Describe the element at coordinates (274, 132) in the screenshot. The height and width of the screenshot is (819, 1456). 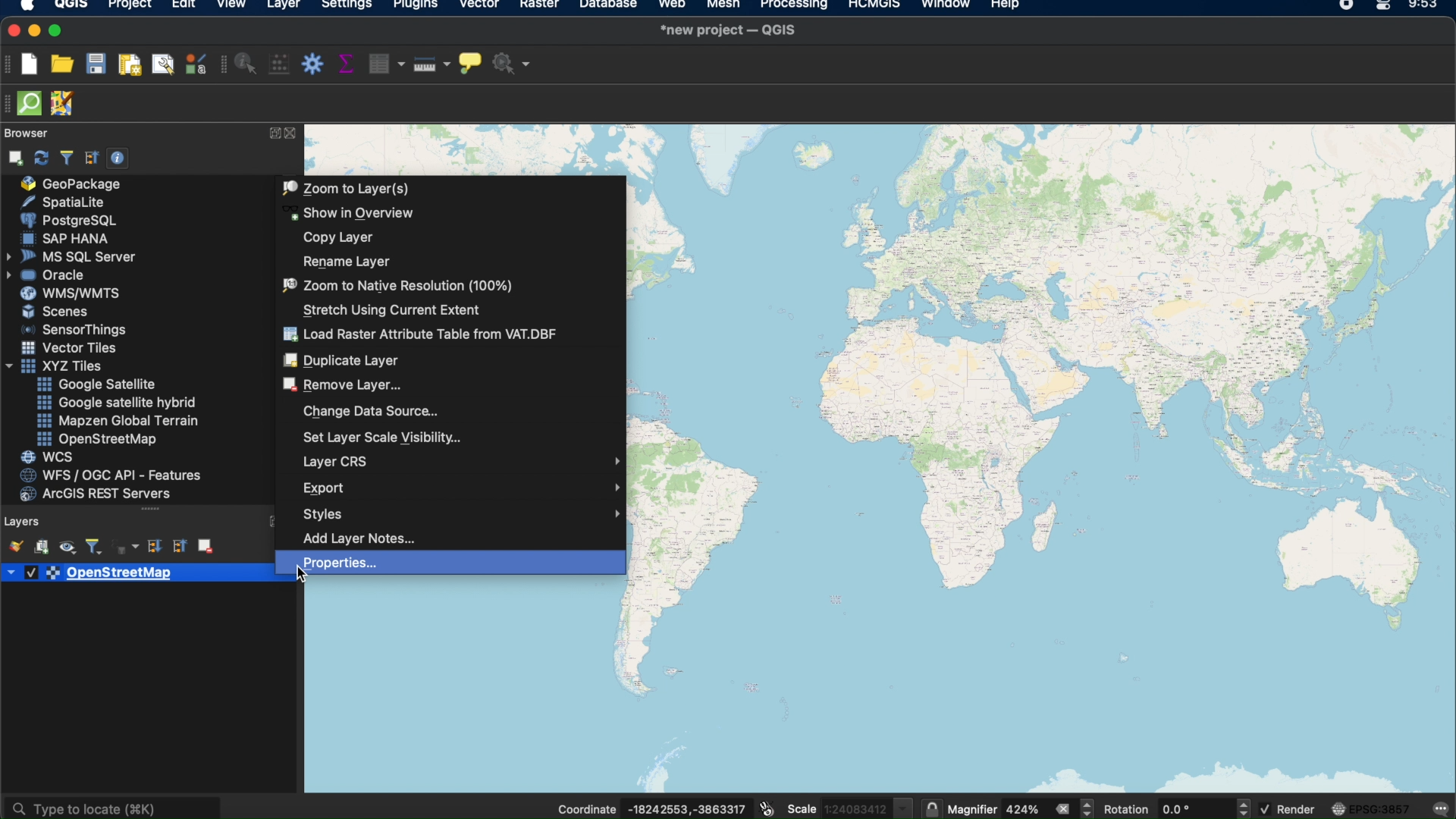
I see `EXPAND` at that location.